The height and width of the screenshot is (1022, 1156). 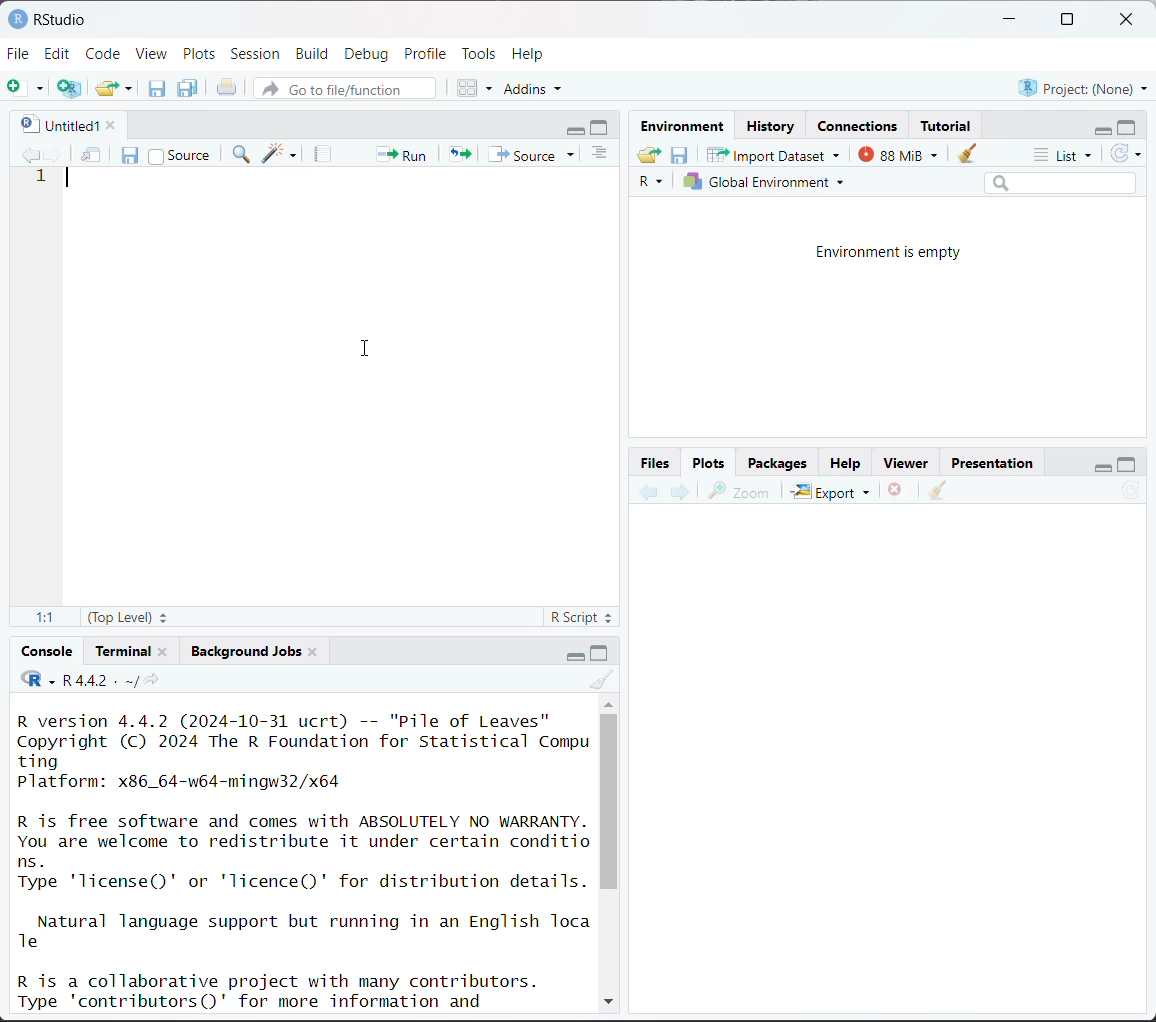 What do you see at coordinates (603, 155) in the screenshot?
I see `show document outline` at bounding box center [603, 155].